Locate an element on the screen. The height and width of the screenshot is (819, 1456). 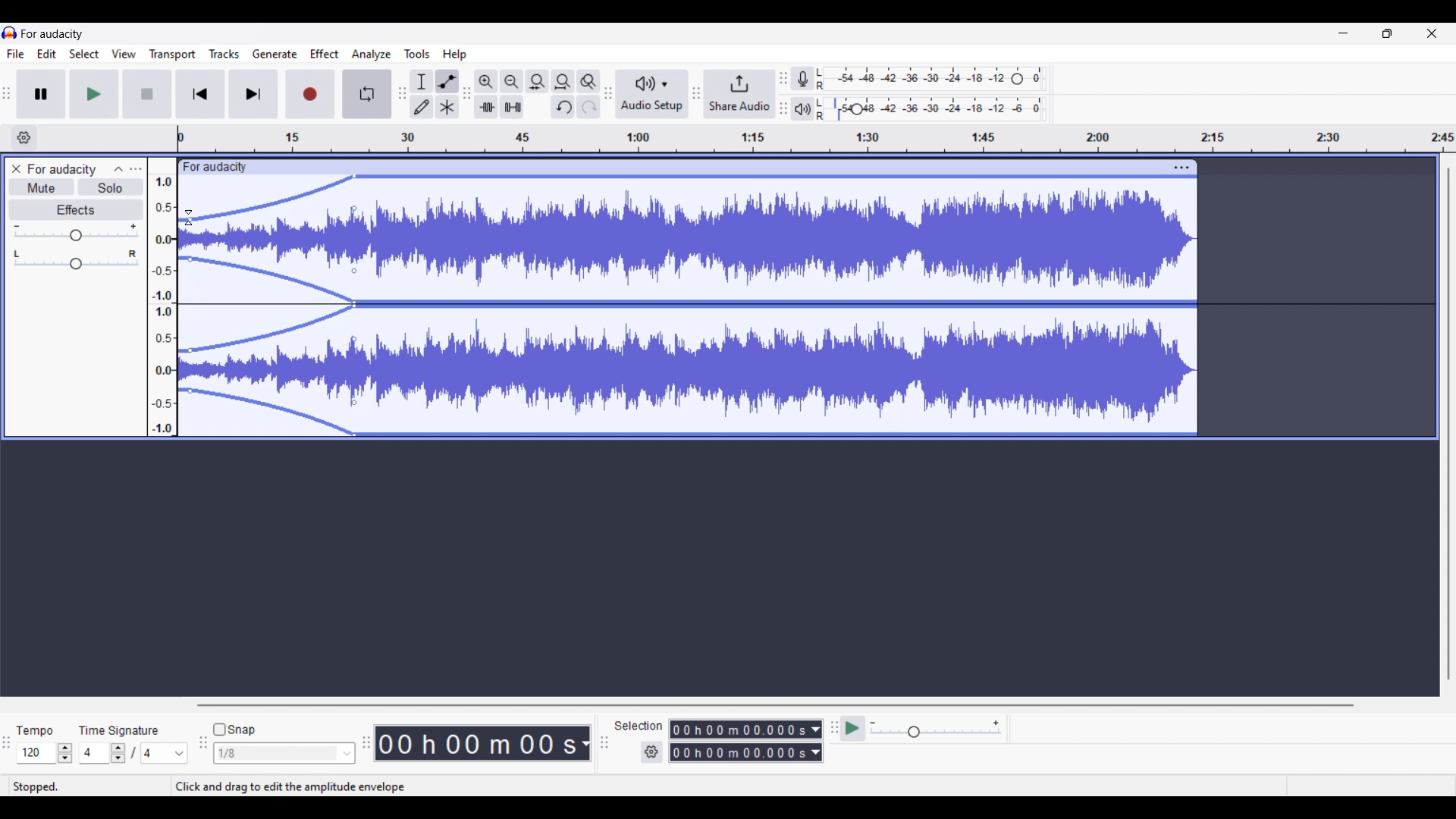
Skip/Select to end is located at coordinates (254, 94).